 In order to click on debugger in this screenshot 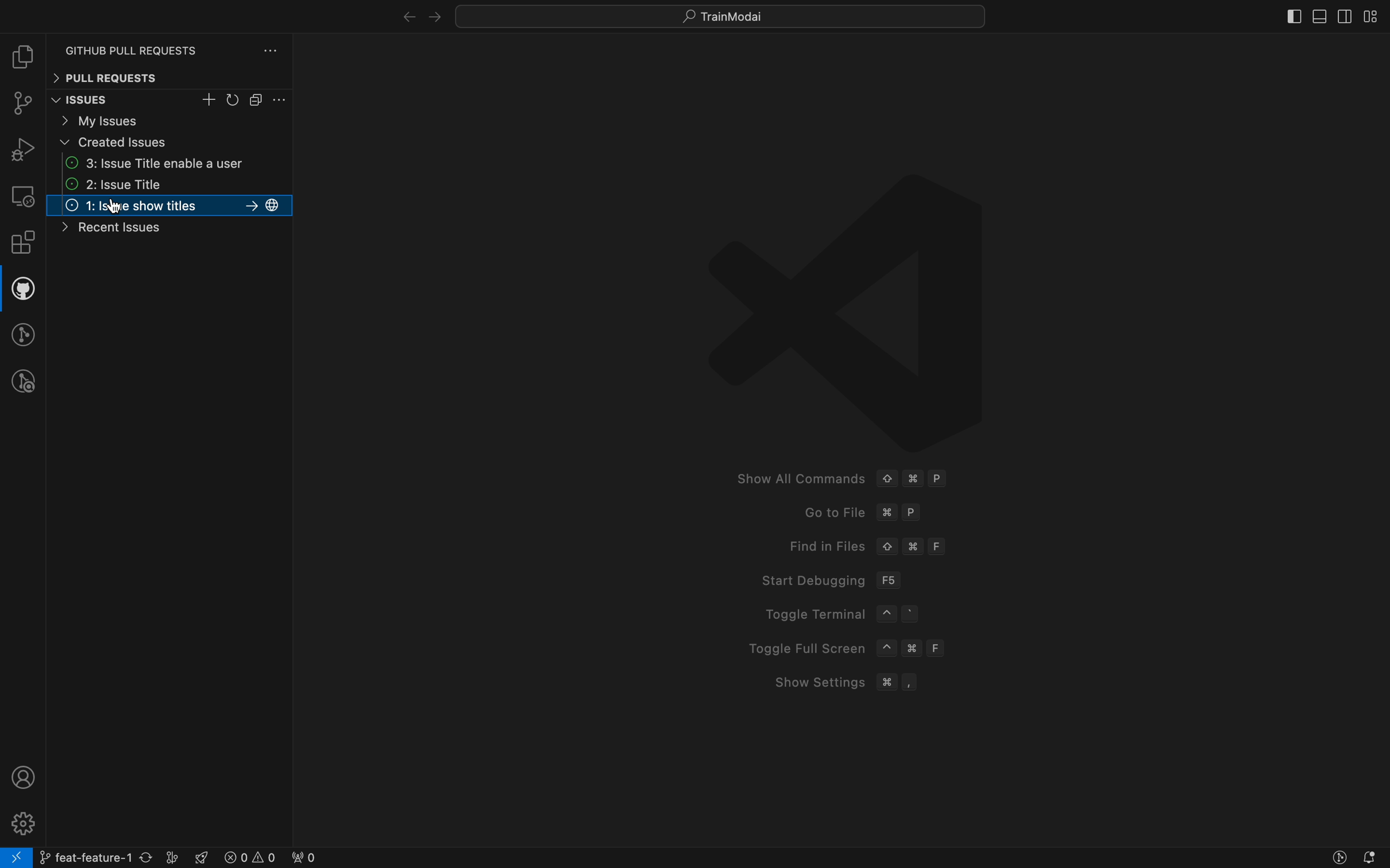, I will do `click(22, 149)`.